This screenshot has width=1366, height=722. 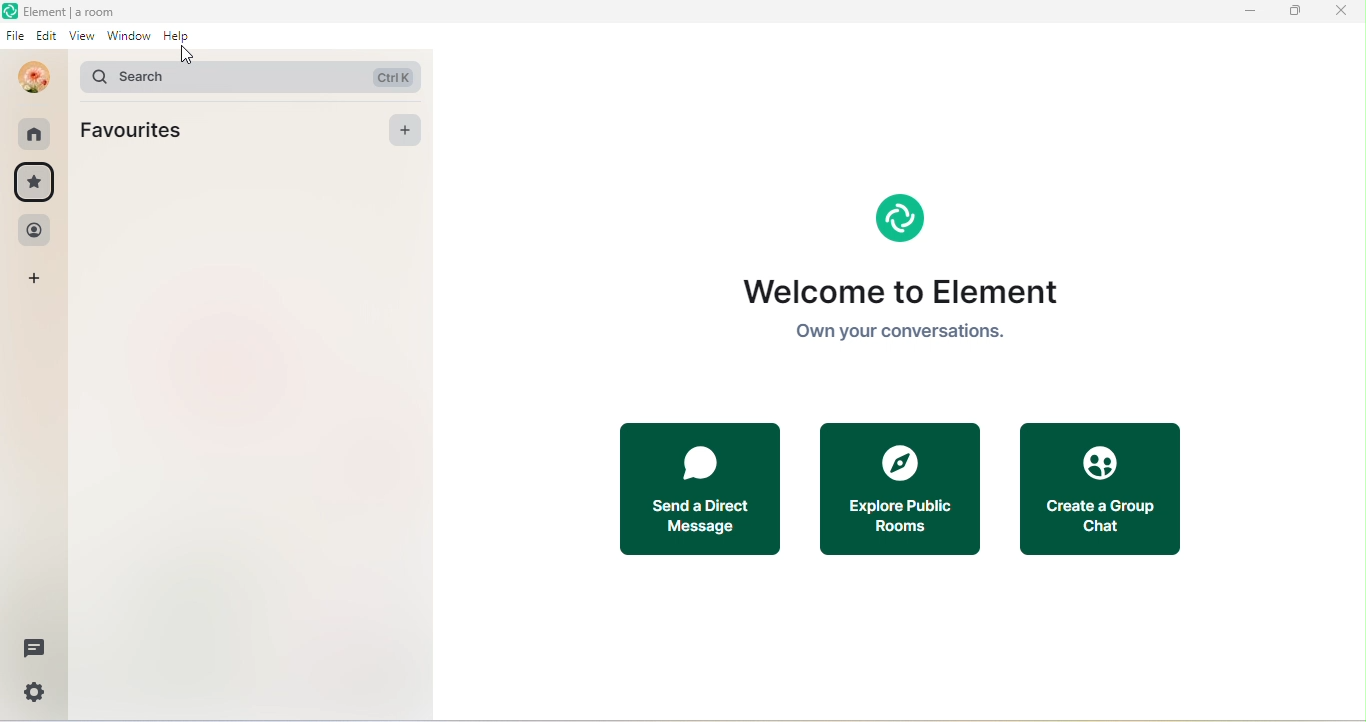 What do you see at coordinates (47, 36) in the screenshot?
I see `edit` at bounding box center [47, 36].